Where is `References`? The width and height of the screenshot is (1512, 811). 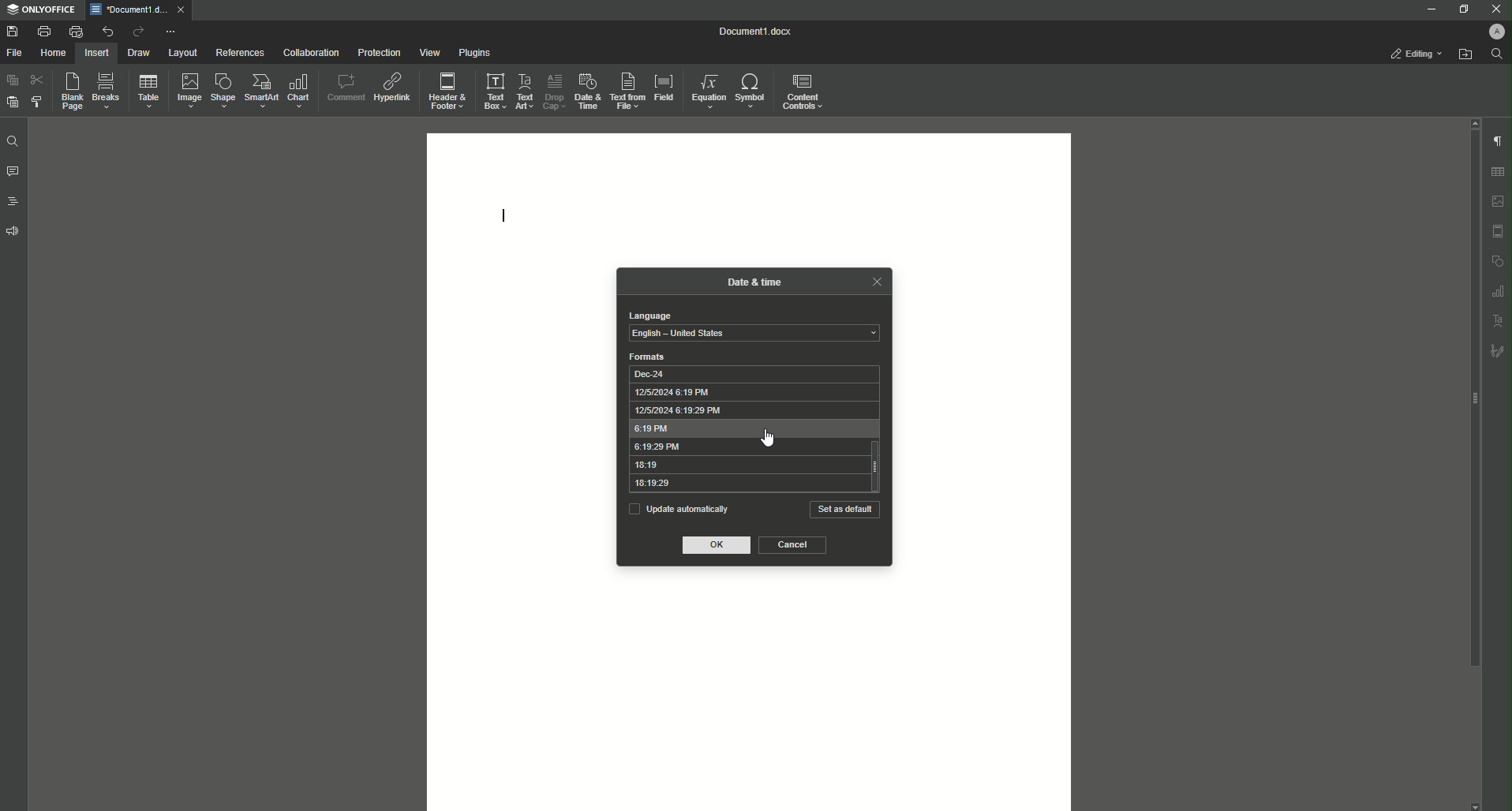 References is located at coordinates (239, 53).